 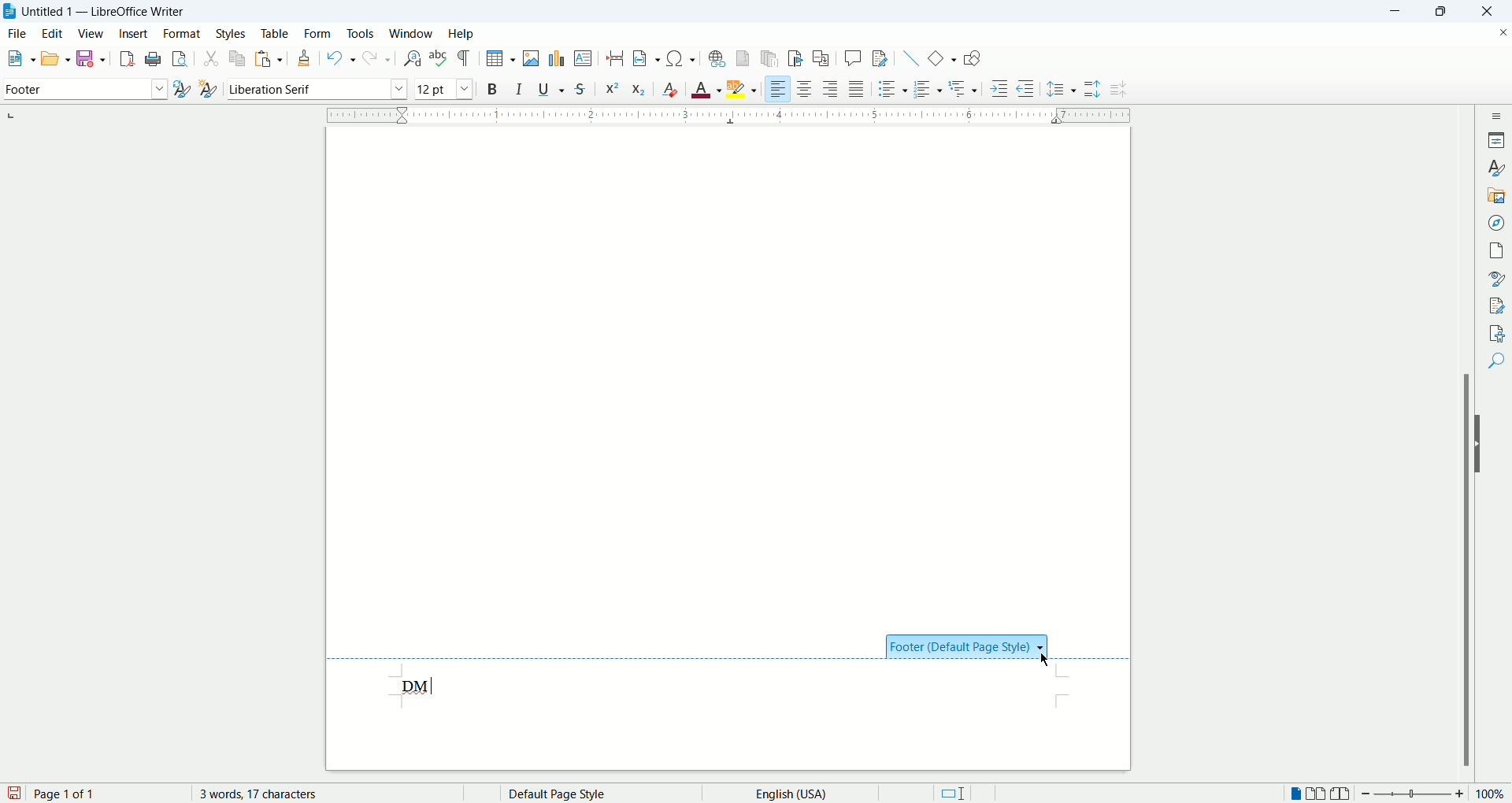 I want to click on maximize, so click(x=1447, y=13).